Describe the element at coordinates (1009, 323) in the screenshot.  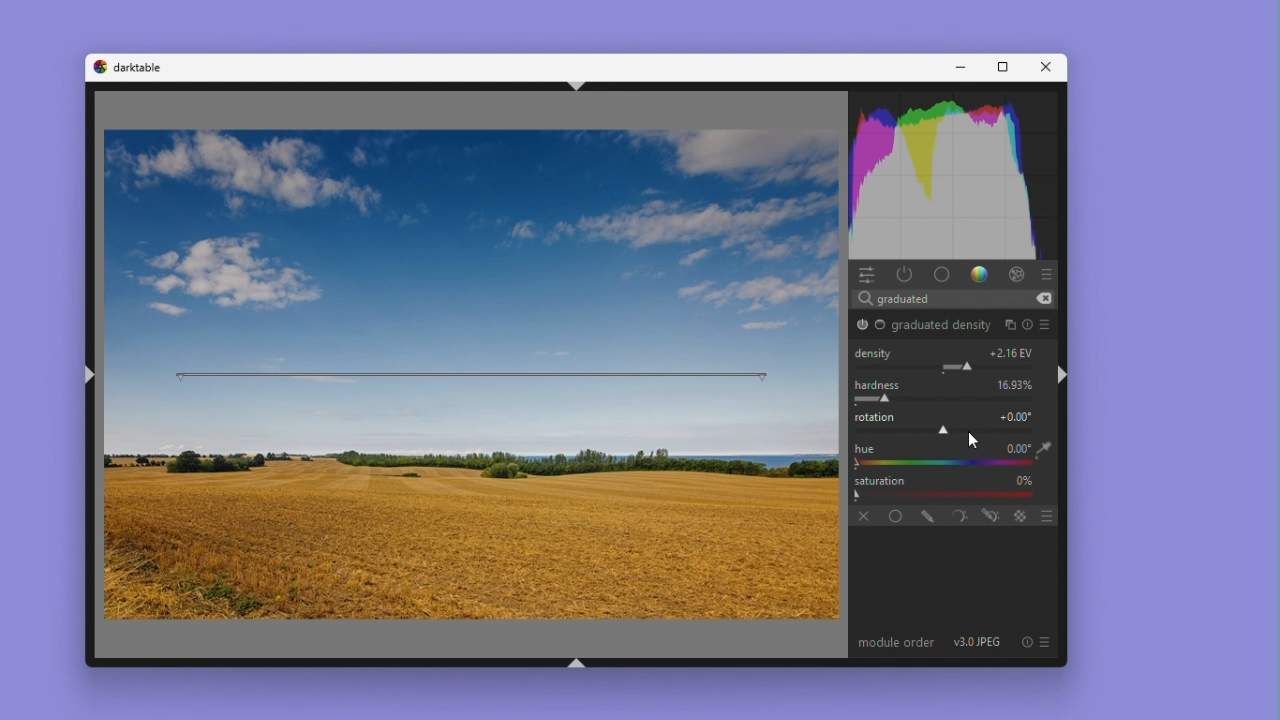
I see `multiple instances` at that location.